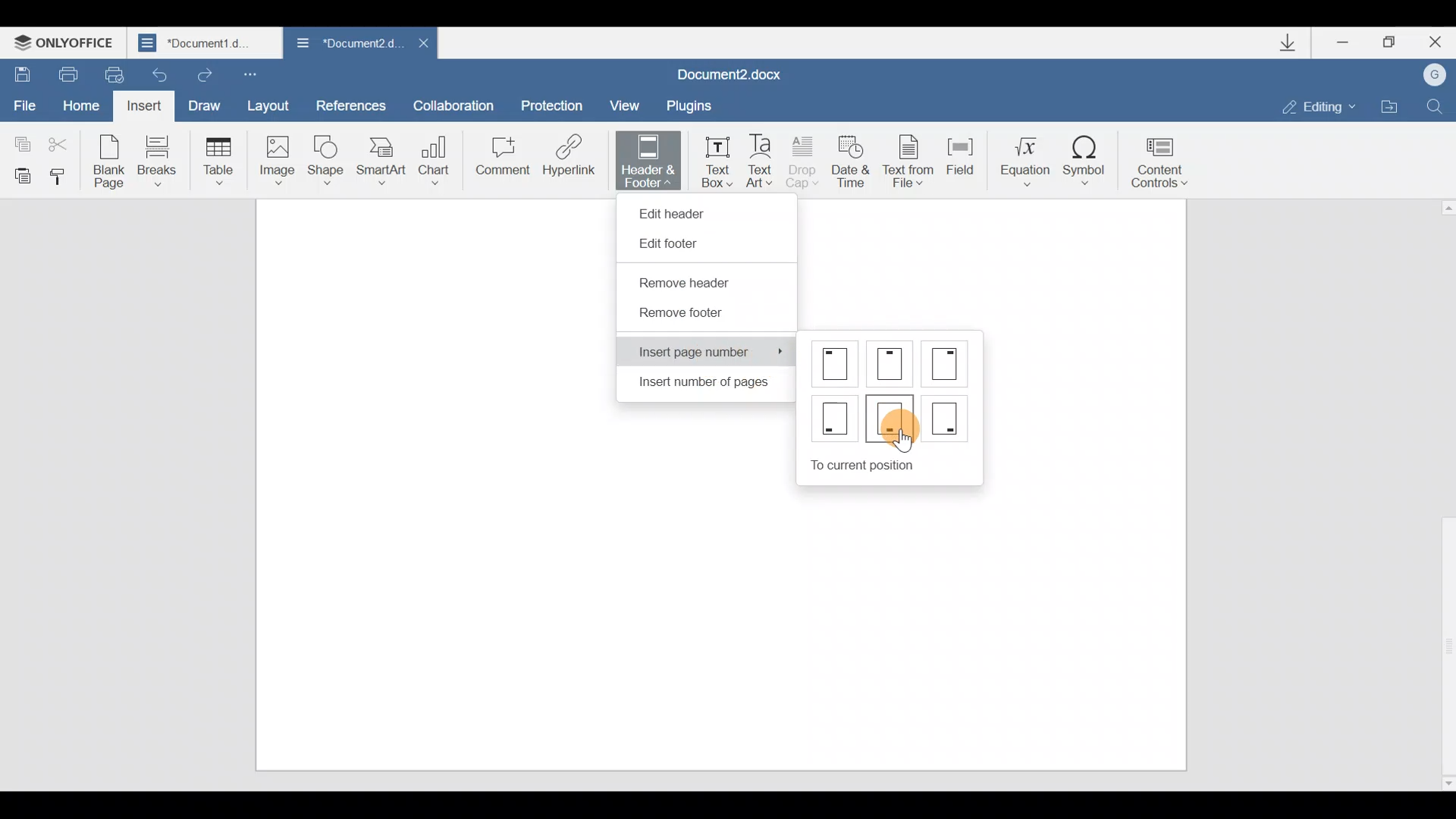 The image size is (1456, 819). What do you see at coordinates (552, 99) in the screenshot?
I see `Protection` at bounding box center [552, 99].